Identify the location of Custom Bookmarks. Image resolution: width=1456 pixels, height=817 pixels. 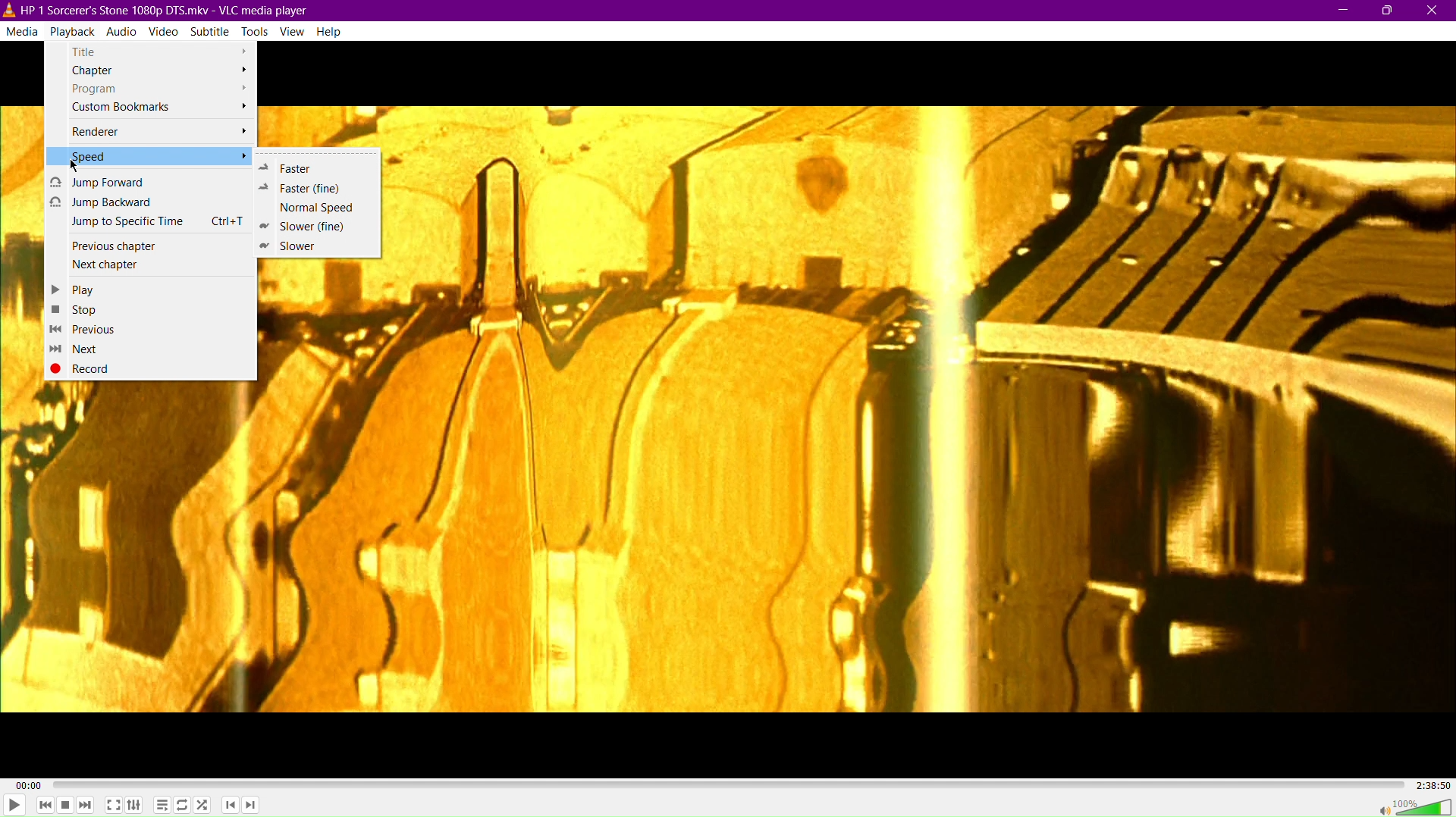
(151, 108).